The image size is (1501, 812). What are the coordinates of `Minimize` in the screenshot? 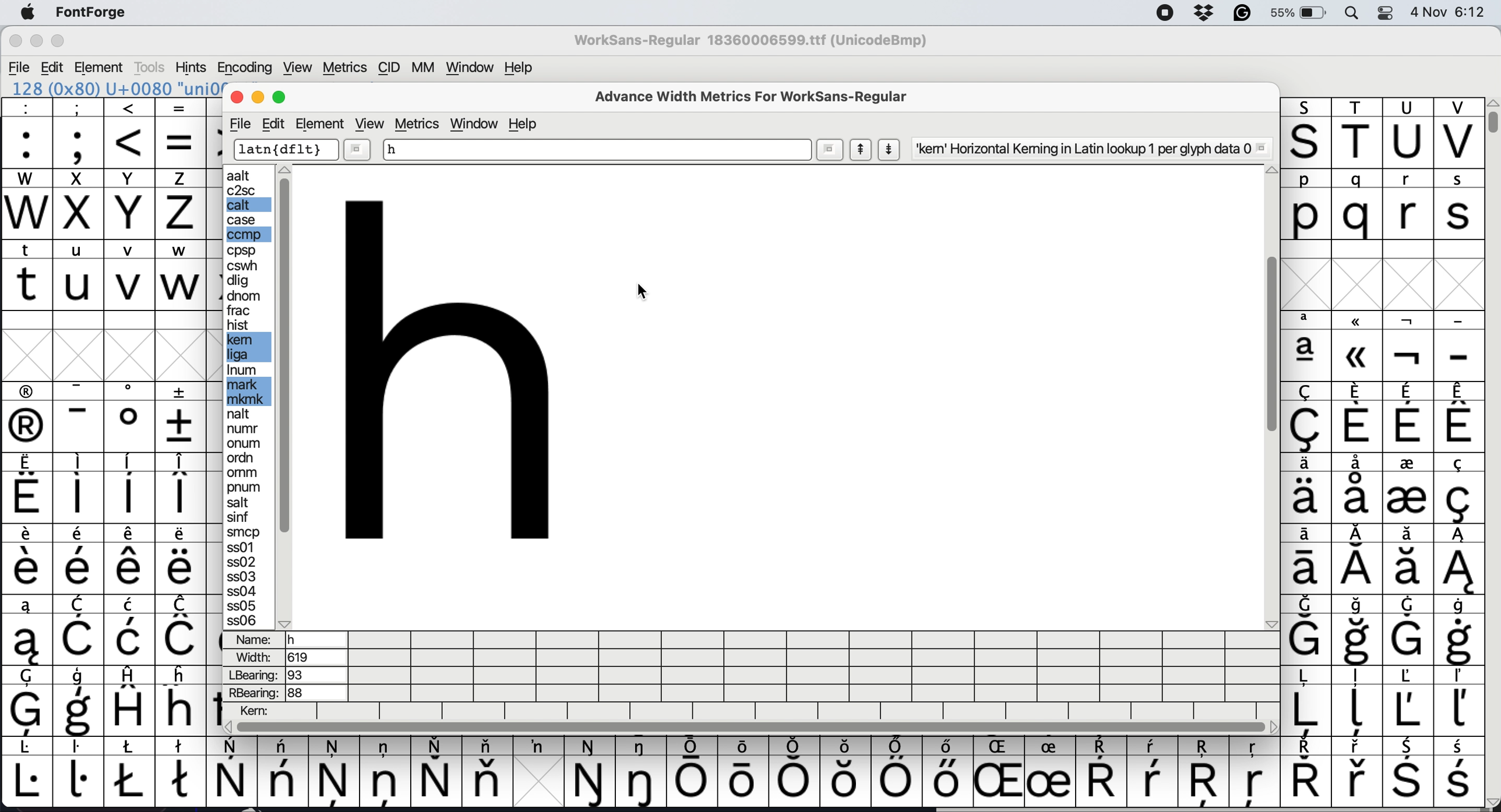 It's located at (40, 41).